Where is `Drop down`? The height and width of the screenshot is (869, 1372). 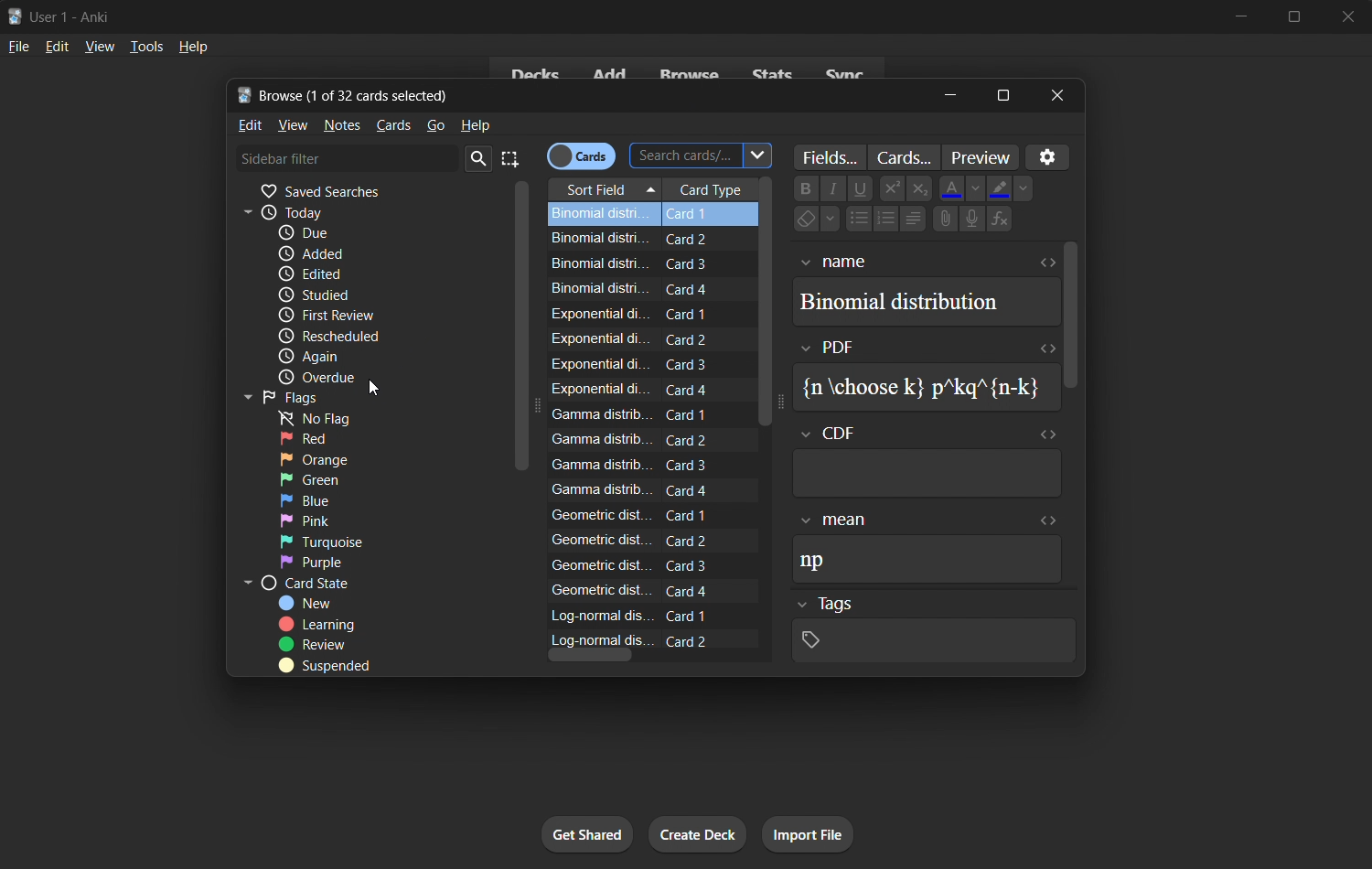
Drop down is located at coordinates (758, 156).